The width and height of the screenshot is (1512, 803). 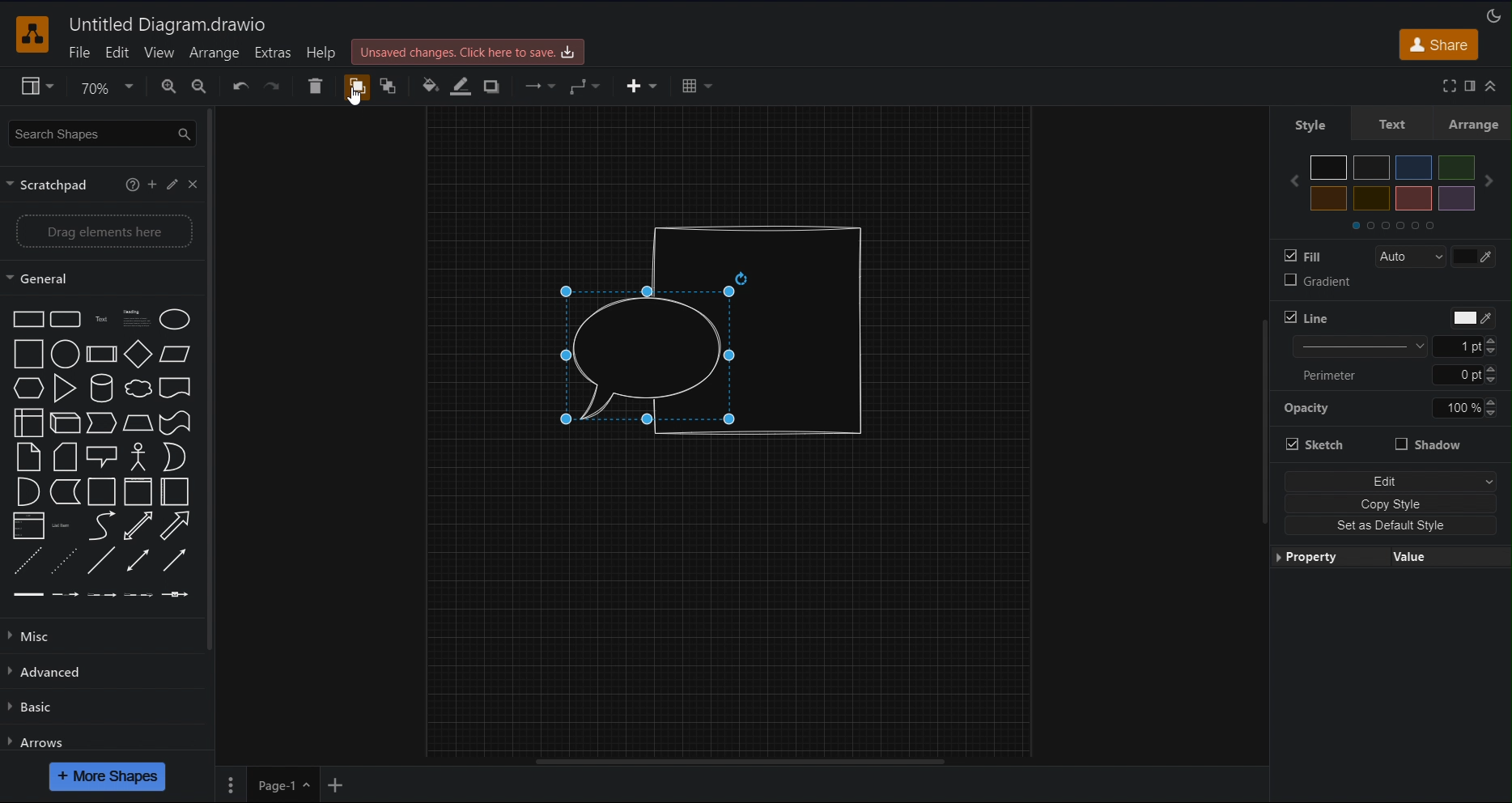 What do you see at coordinates (62, 185) in the screenshot?
I see `Scratchpad` at bounding box center [62, 185].